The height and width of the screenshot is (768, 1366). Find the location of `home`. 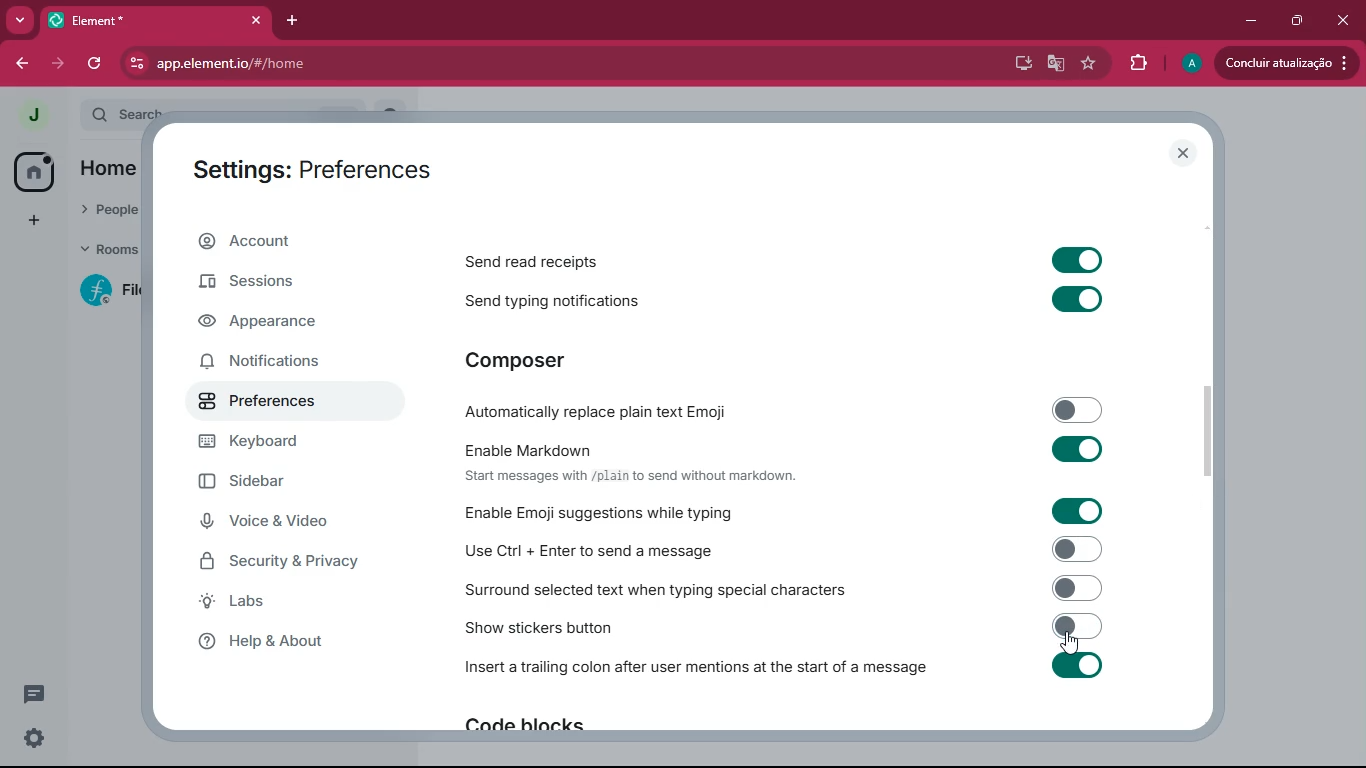

home is located at coordinates (114, 171).